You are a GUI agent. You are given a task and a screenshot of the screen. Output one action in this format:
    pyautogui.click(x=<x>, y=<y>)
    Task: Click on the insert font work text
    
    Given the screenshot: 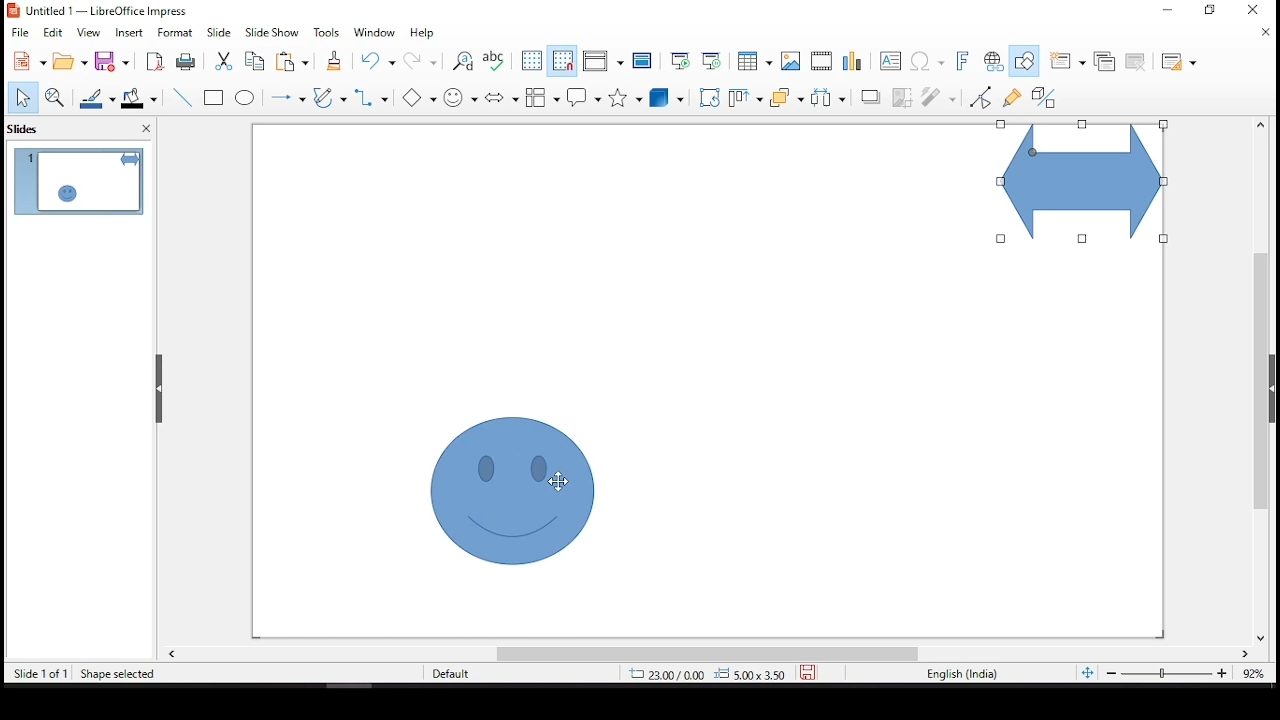 What is the action you would take?
    pyautogui.click(x=963, y=60)
    